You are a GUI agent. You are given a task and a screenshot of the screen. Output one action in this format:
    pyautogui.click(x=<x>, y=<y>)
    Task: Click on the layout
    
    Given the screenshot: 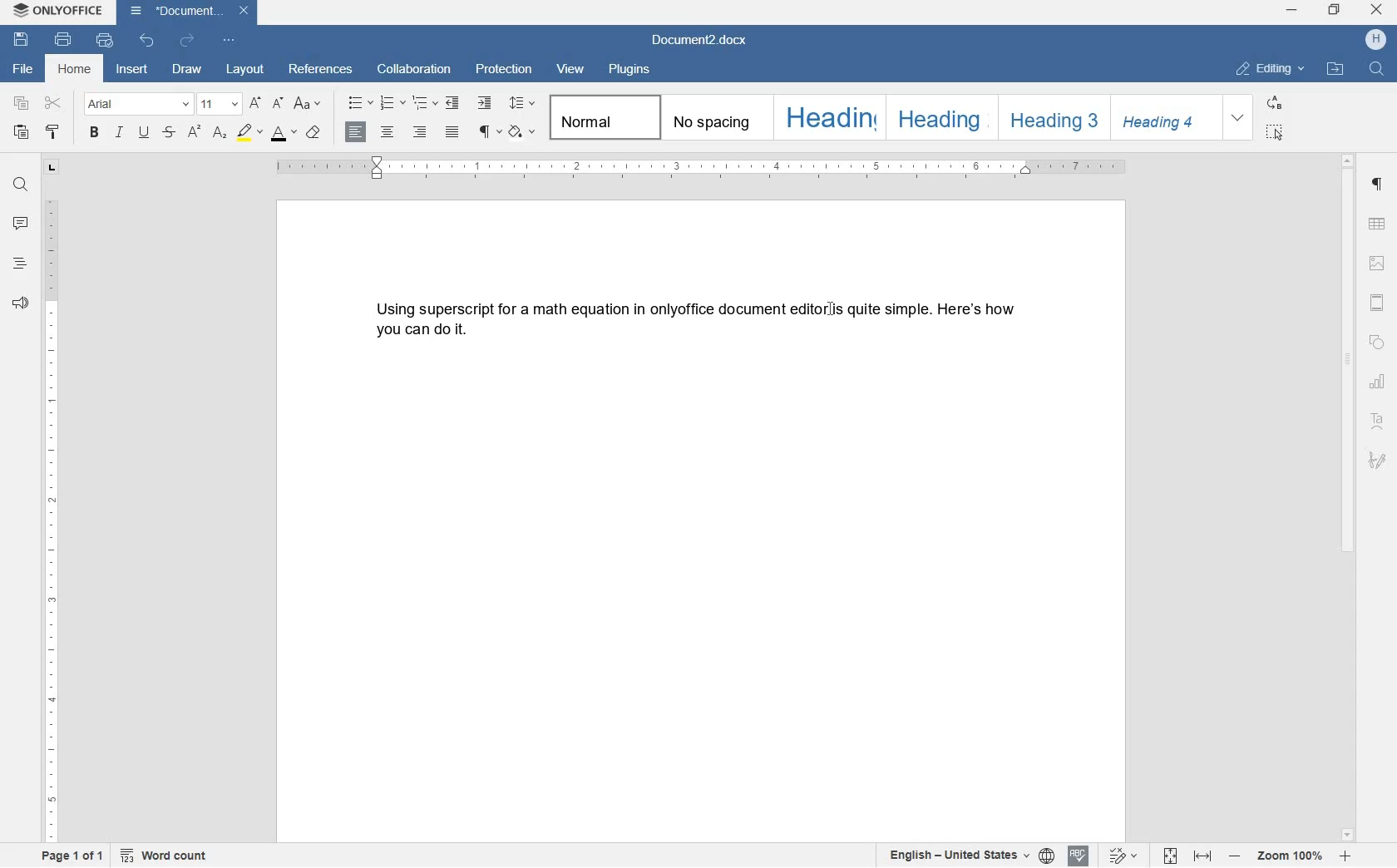 What is the action you would take?
    pyautogui.click(x=247, y=70)
    